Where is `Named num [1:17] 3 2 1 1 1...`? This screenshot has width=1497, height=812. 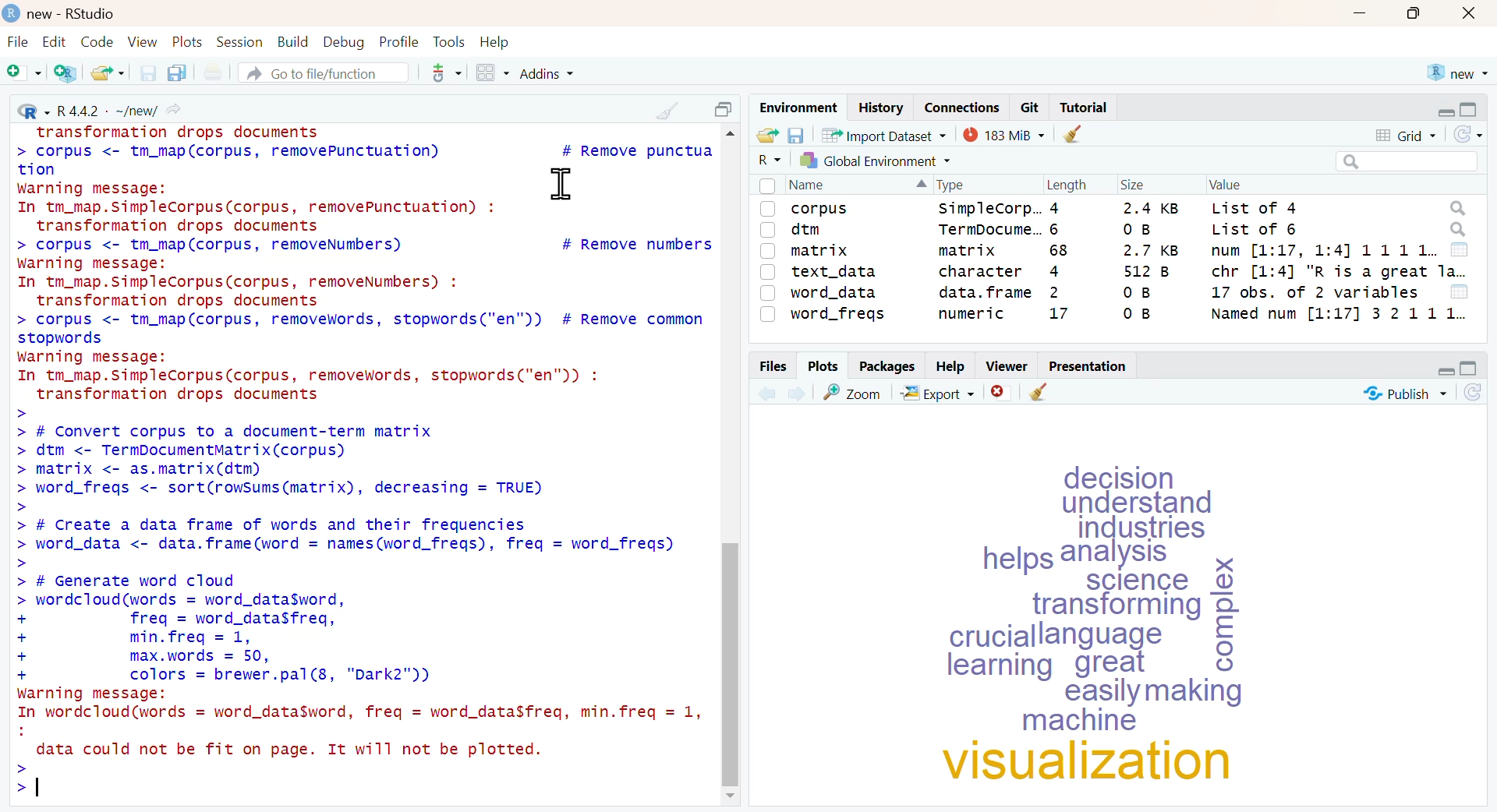 Named num [1:17] 3 2 1 1 1... is located at coordinates (1338, 313).